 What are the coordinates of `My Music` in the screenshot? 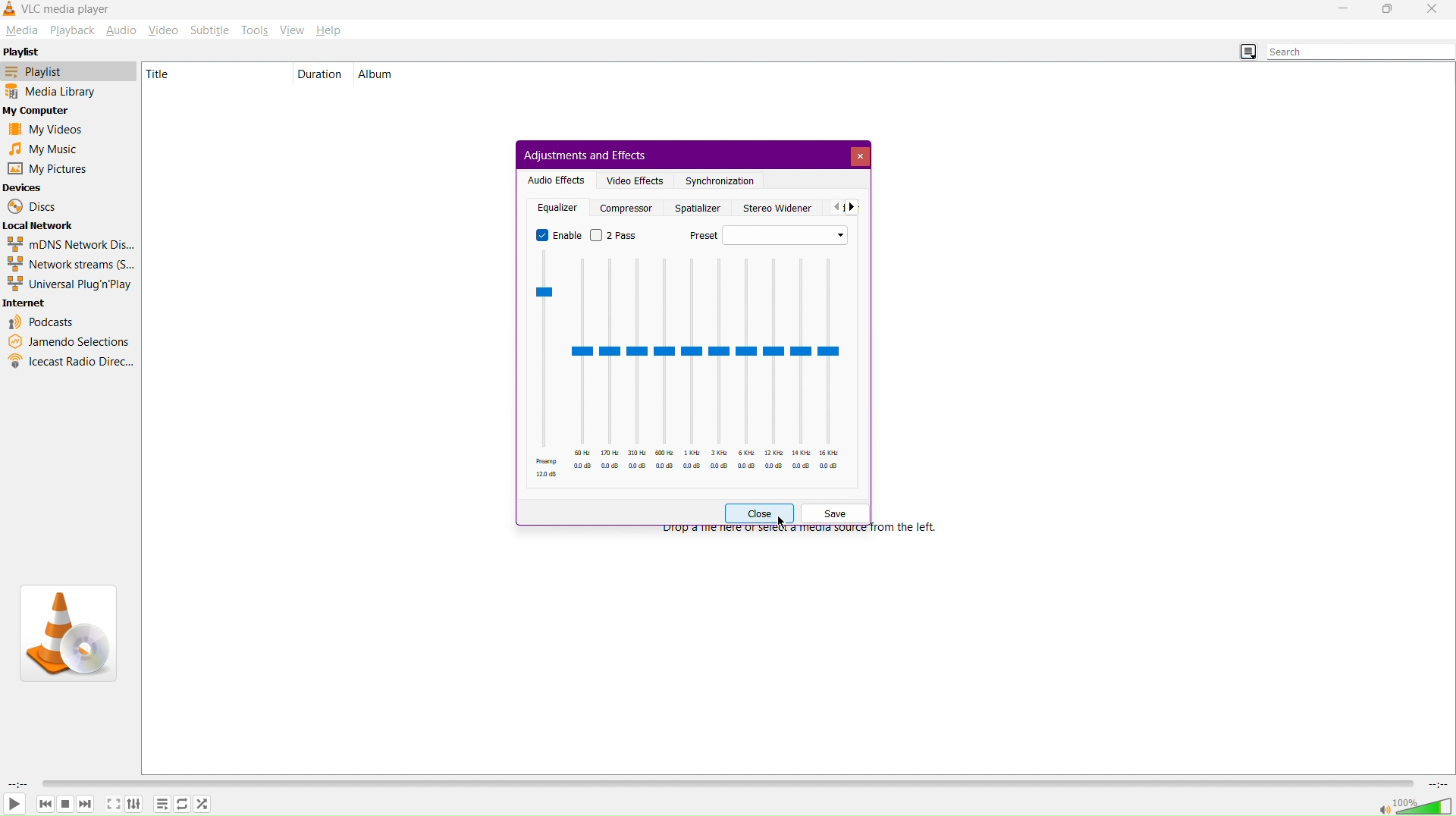 It's located at (45, 150).